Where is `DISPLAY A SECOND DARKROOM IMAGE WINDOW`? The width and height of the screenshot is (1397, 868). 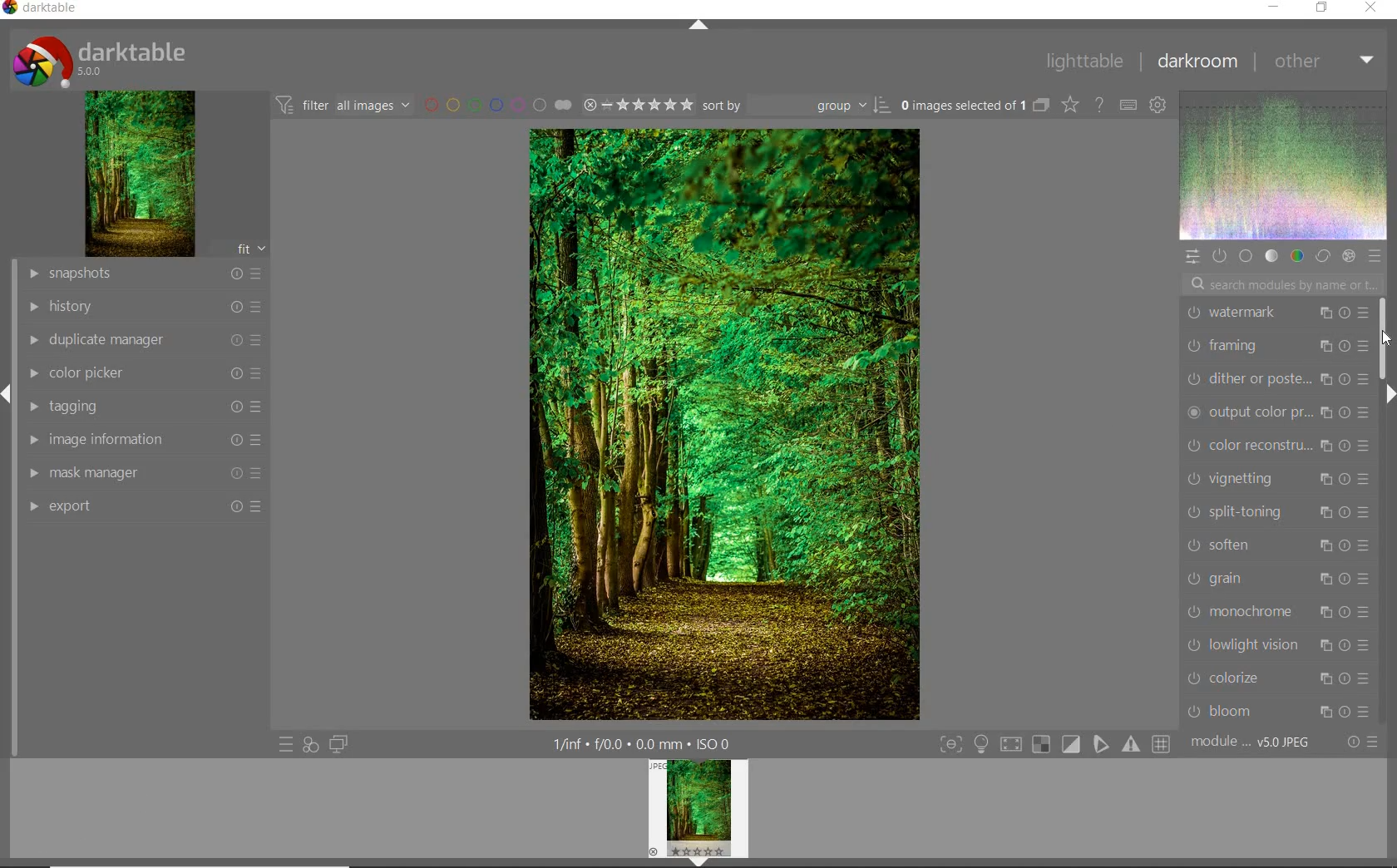
DISPLAY A SECOND DARKROOM IMAGE WINDOW is located at coordinates (338, 747).